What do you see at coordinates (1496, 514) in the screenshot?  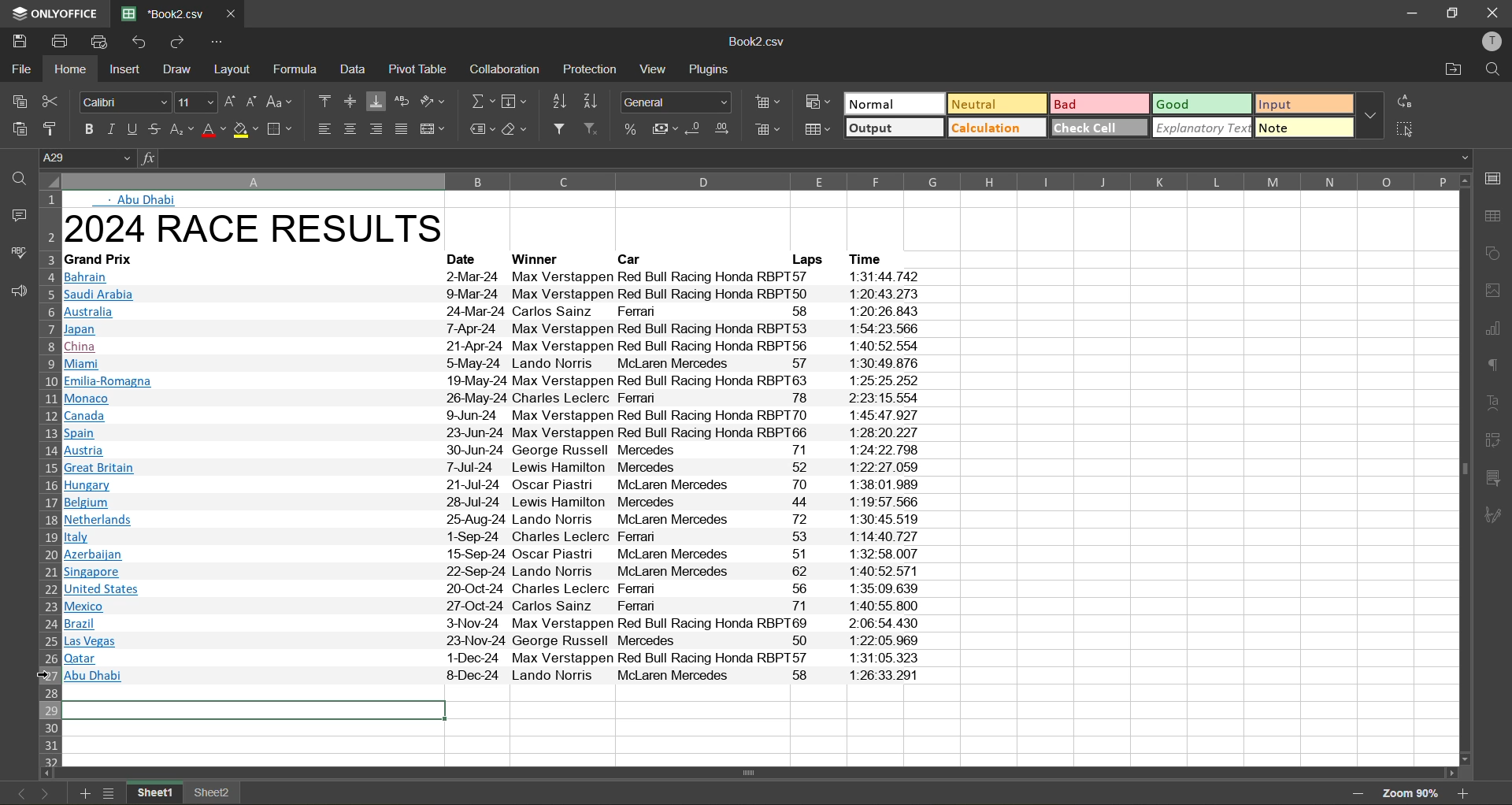 I see `signature` at bounding box center [1496, 514].